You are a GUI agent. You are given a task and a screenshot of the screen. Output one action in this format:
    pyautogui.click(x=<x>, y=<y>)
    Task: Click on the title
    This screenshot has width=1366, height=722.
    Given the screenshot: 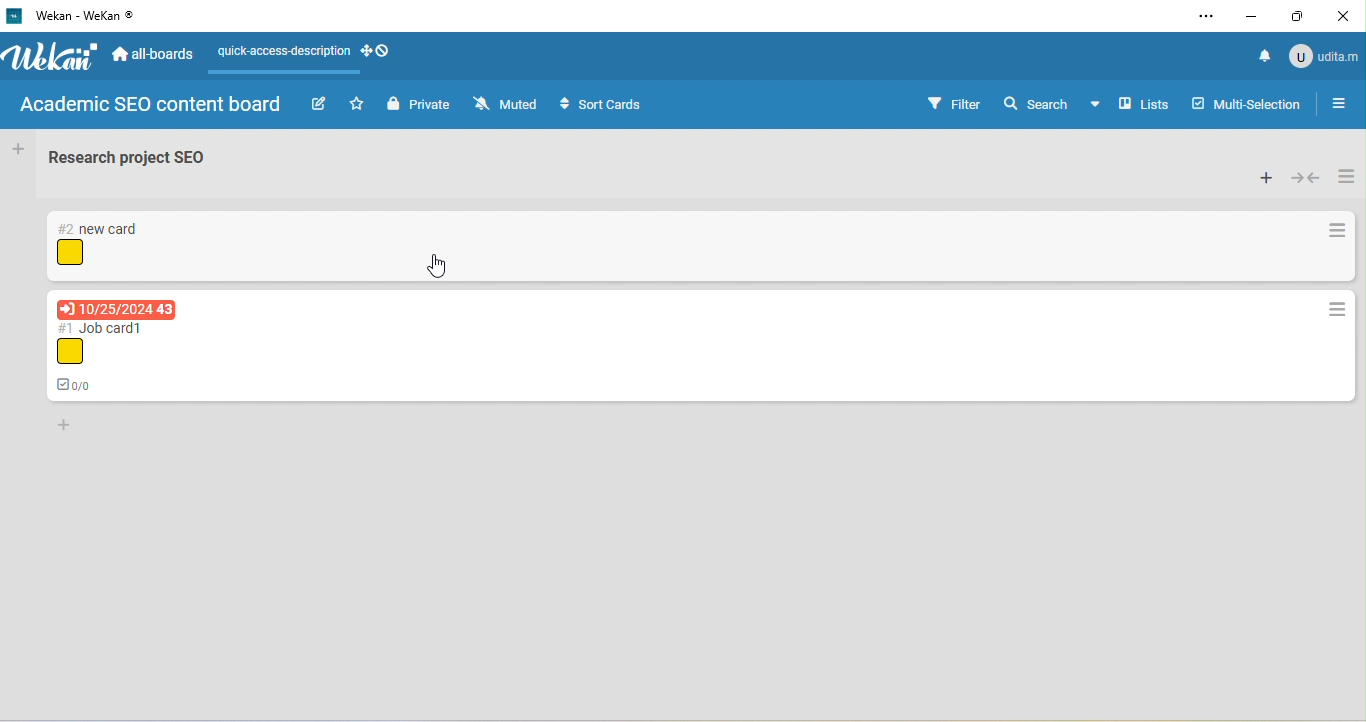 What is the action you would take?
    pyautogui.click(x=81, y=17)
    